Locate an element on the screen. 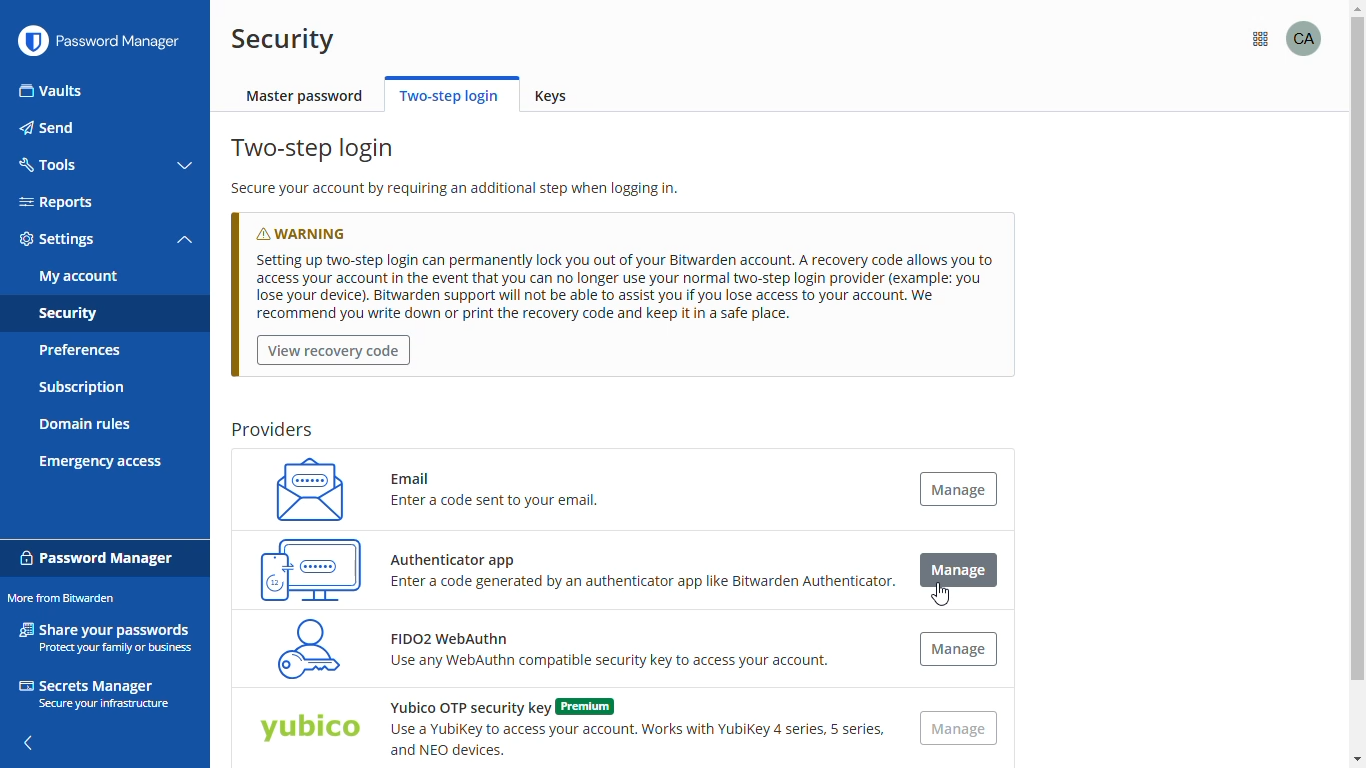  vaults is located at coordinates (52, 91).